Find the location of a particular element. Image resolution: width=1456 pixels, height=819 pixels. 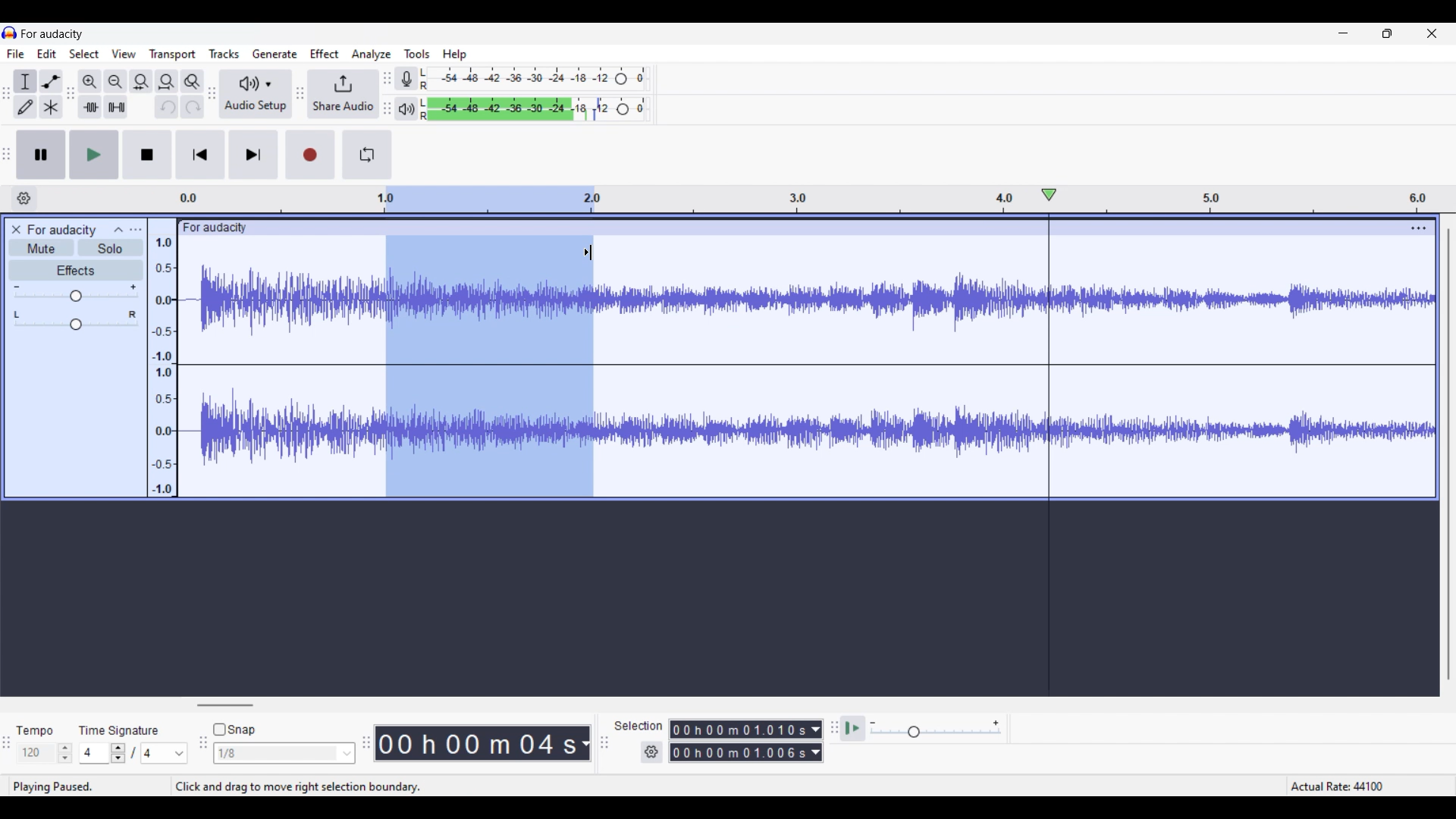

Track selection is located at coordinates (490, 341).